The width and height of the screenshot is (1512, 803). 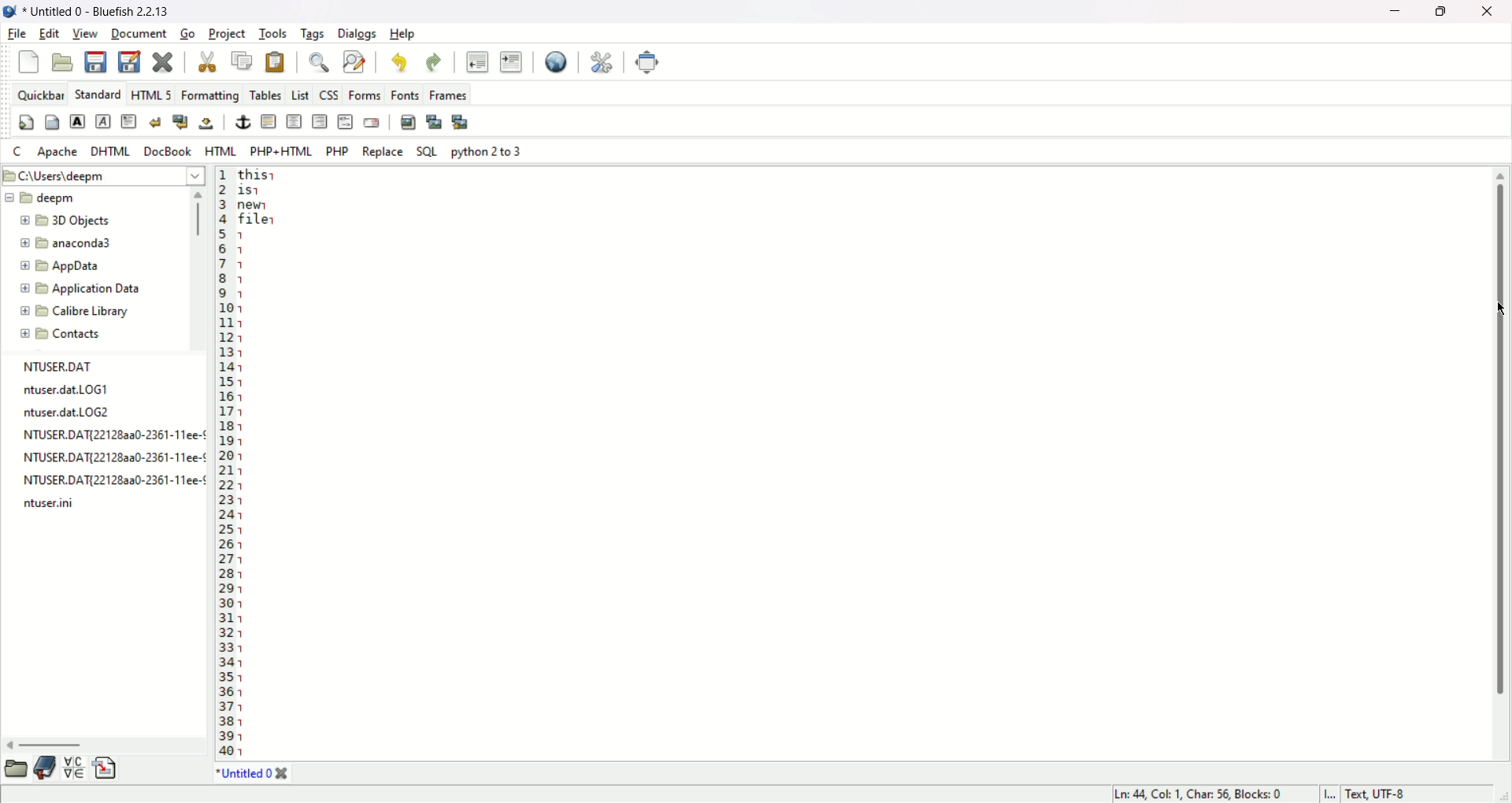 I want to click on line number, so click(x=225, y=463).